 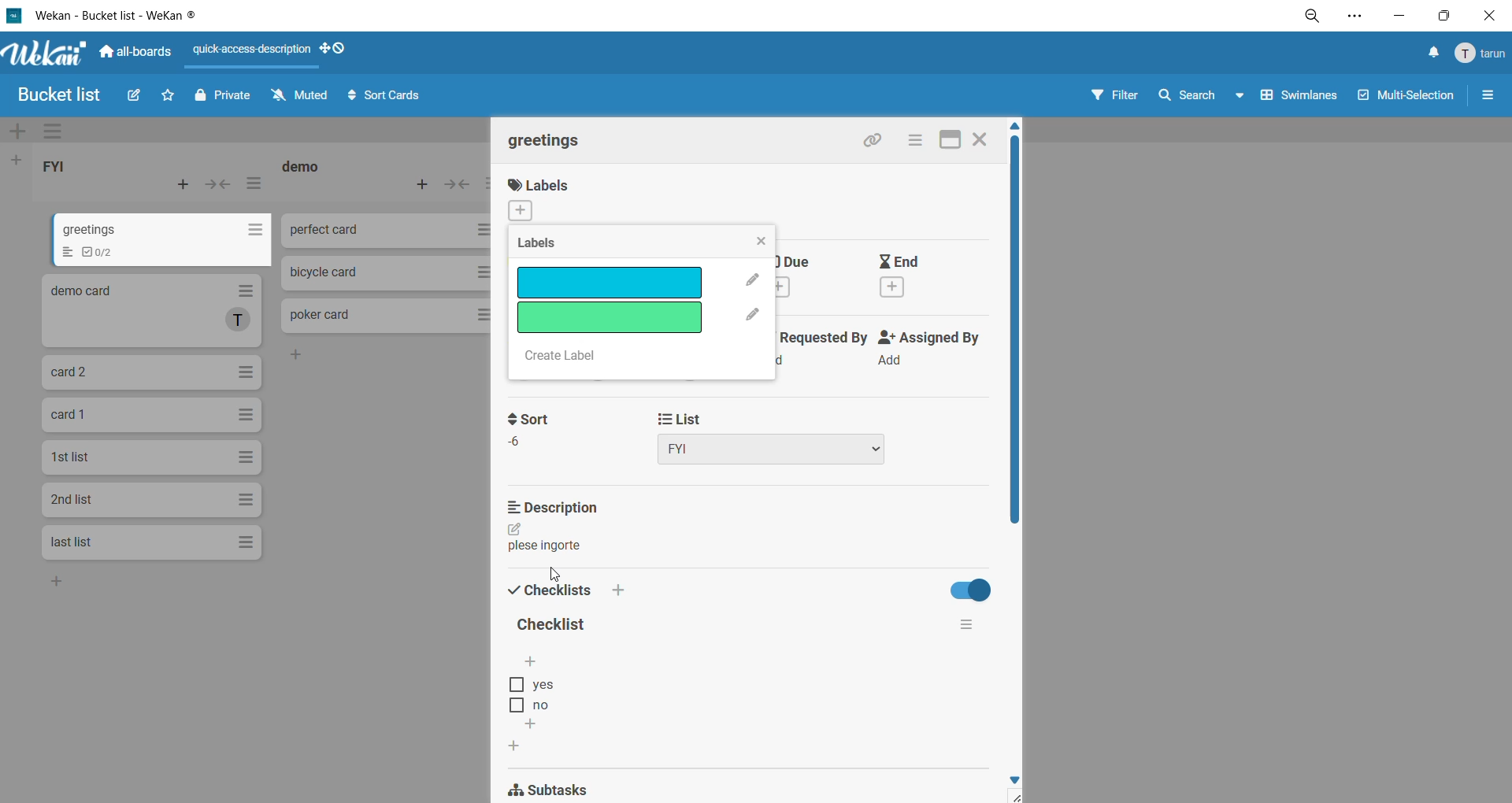 I want to click on add checklist options, so click(x=535, y=726).